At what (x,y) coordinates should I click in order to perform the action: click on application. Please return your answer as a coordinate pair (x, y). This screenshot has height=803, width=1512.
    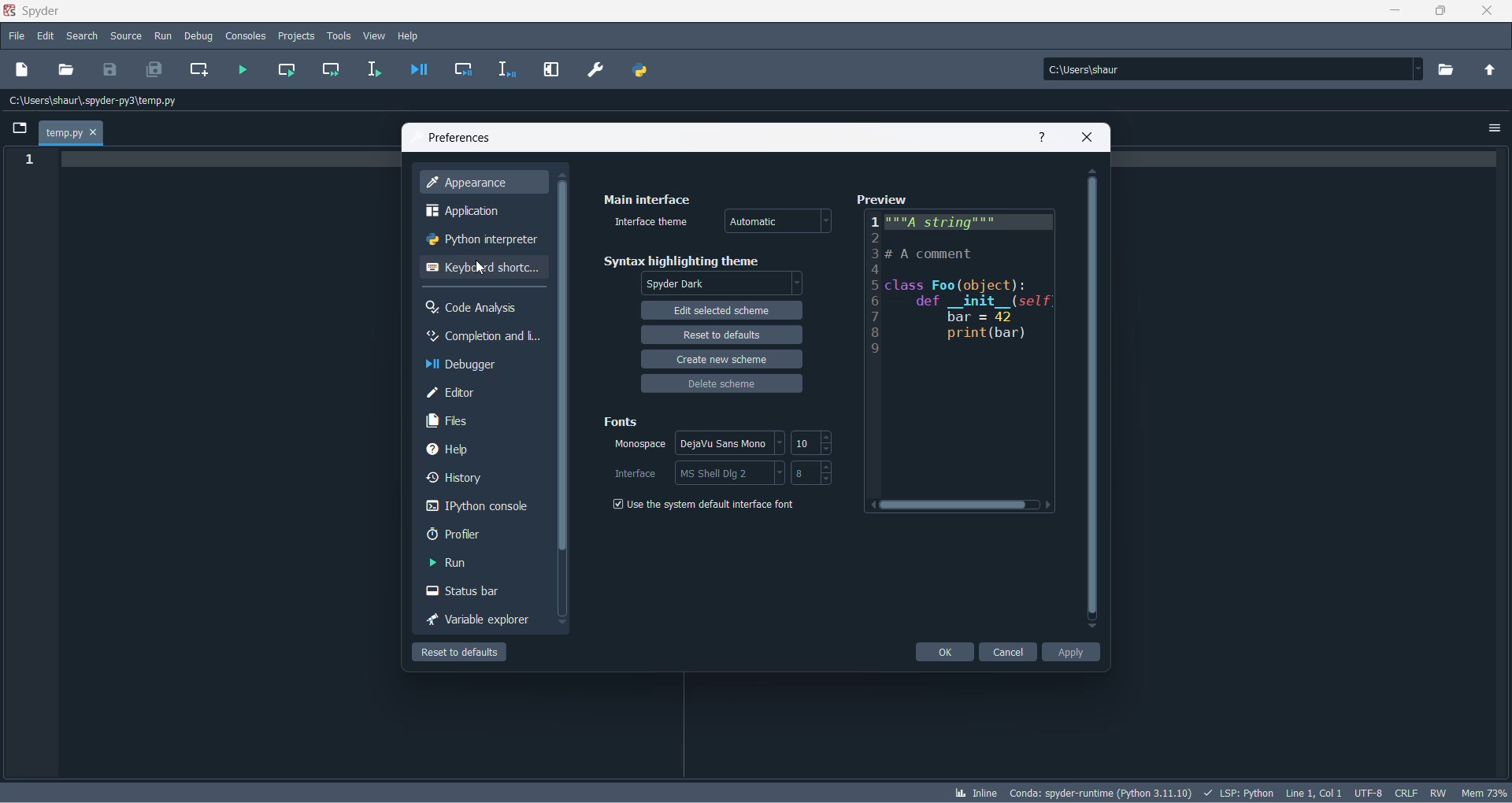
    Looking at the image, I should click on (480, 213).